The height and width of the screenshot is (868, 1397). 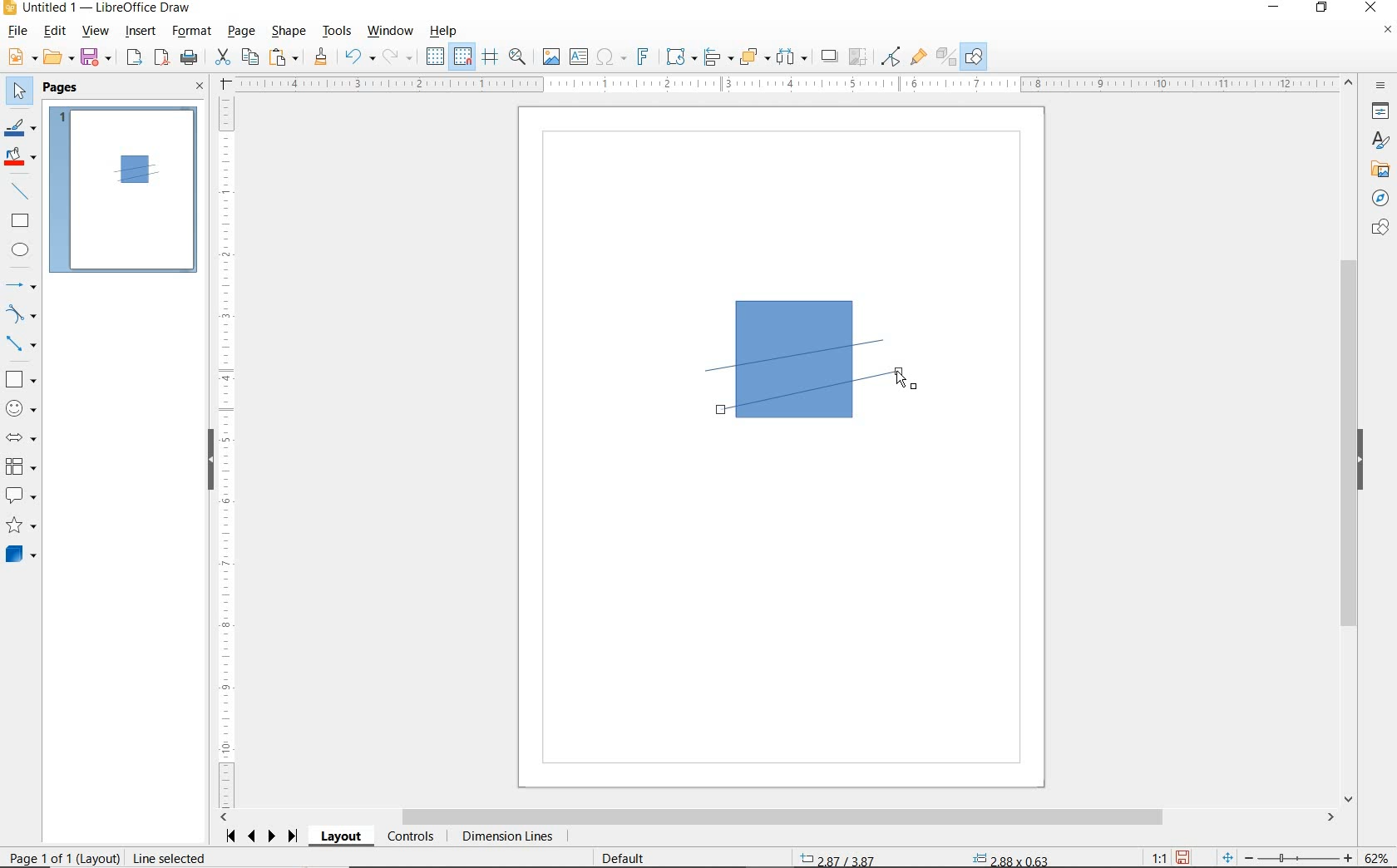 I want to click on STARS AND BANNERS, so click(x=21, y=526).